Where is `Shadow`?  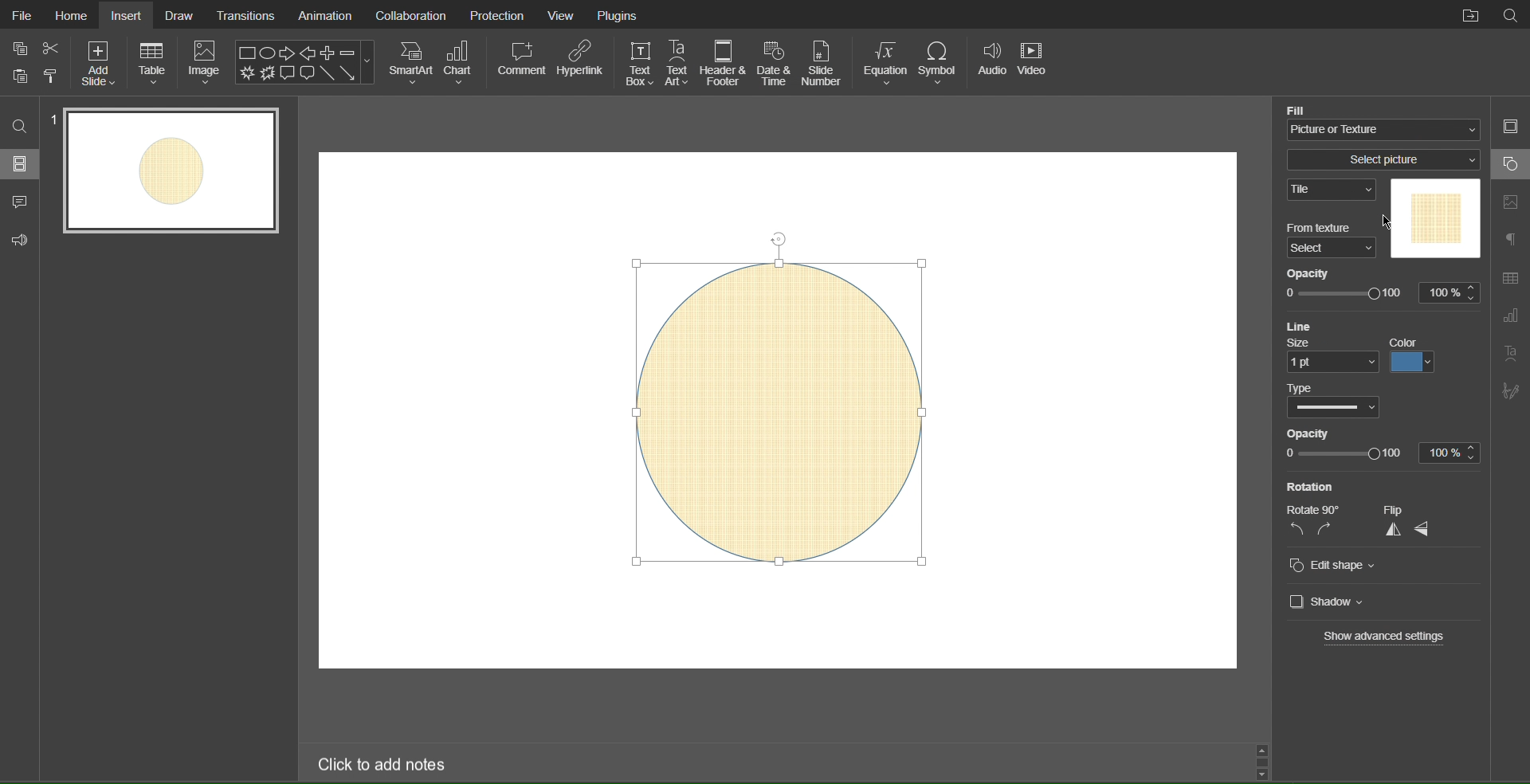
Shadow is located at coordinates (1336, 600).